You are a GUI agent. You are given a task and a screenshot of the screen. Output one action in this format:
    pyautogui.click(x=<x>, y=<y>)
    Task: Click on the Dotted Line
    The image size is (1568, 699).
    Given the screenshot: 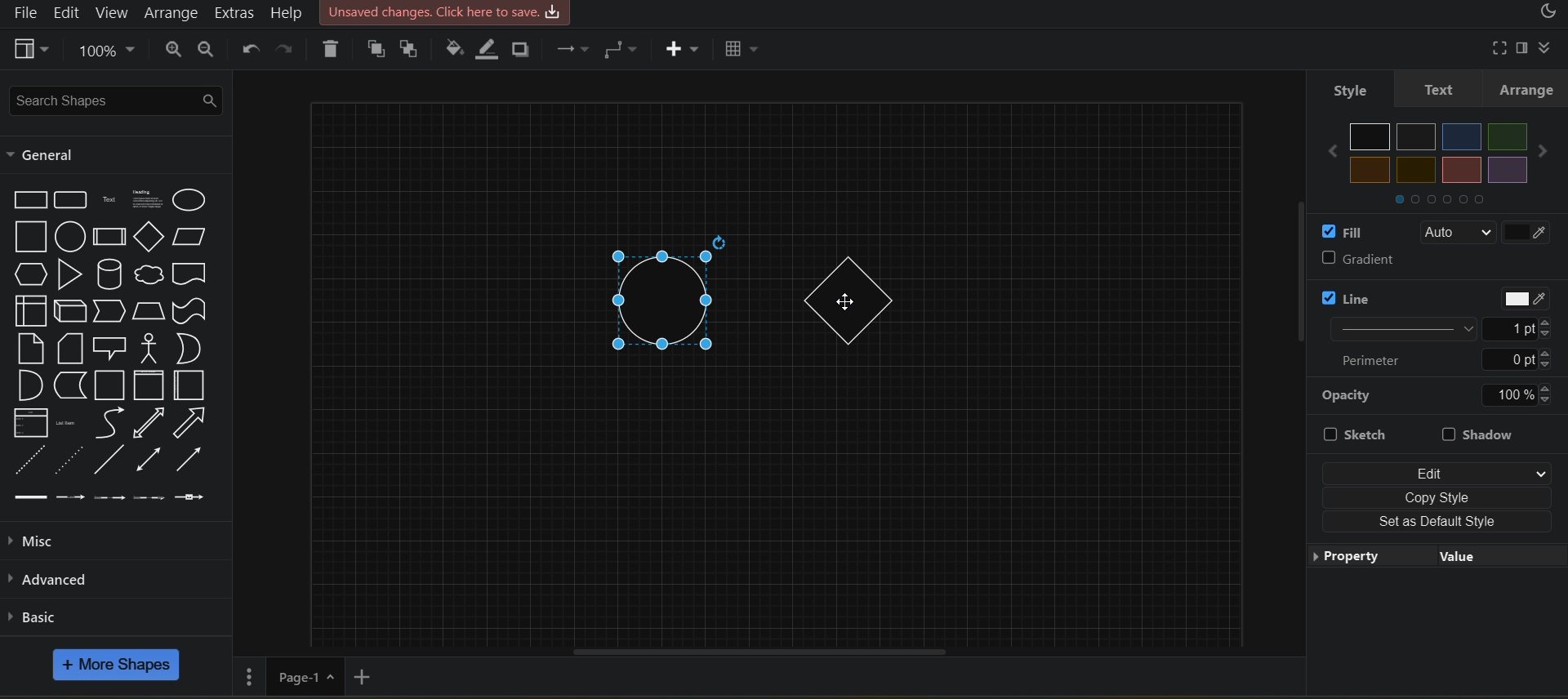 What is the action you would take?
    pyautogui.click(x=69, y=459)
    